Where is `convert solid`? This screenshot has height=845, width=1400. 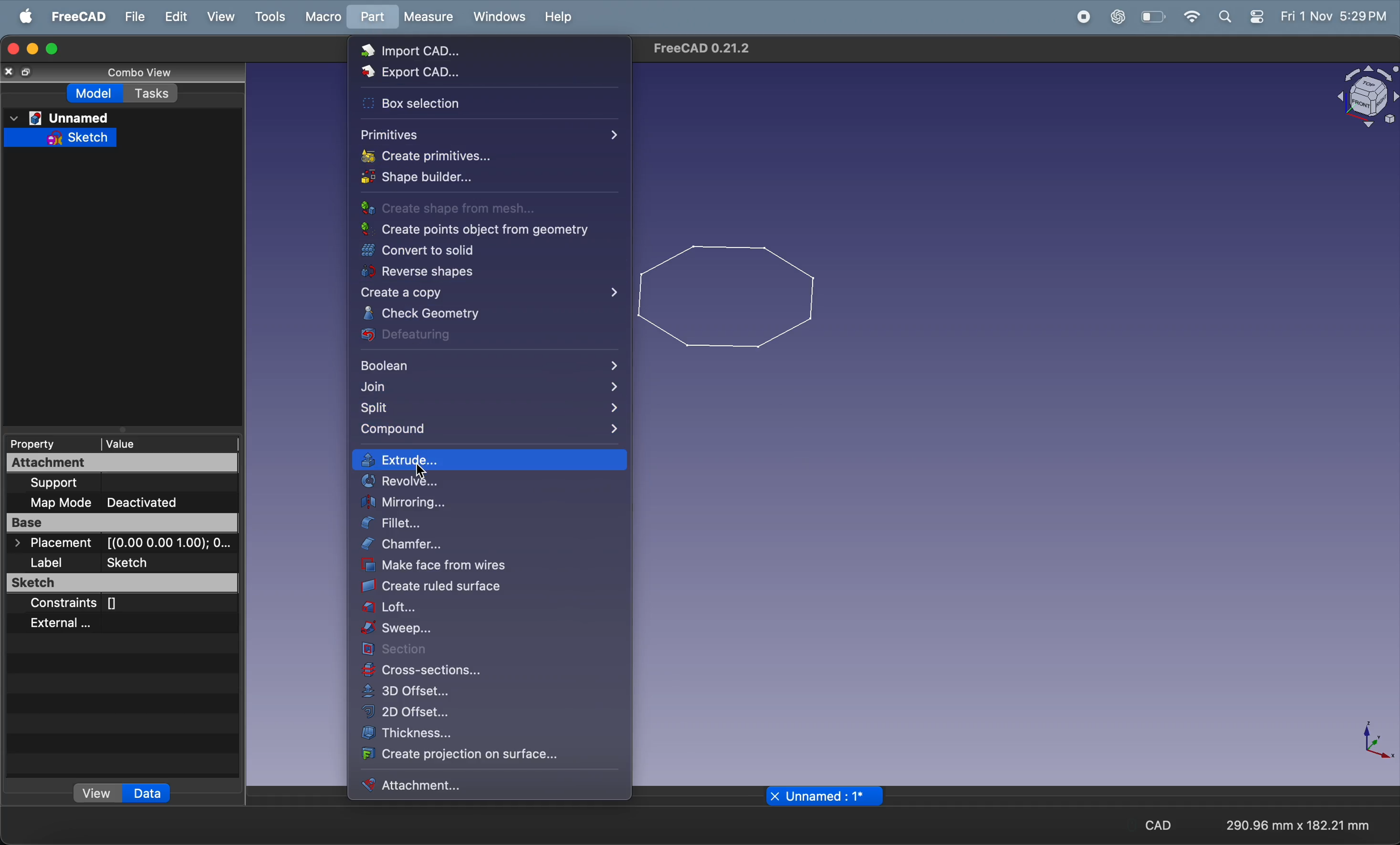 convert solid is located at coordinates (476, 250).